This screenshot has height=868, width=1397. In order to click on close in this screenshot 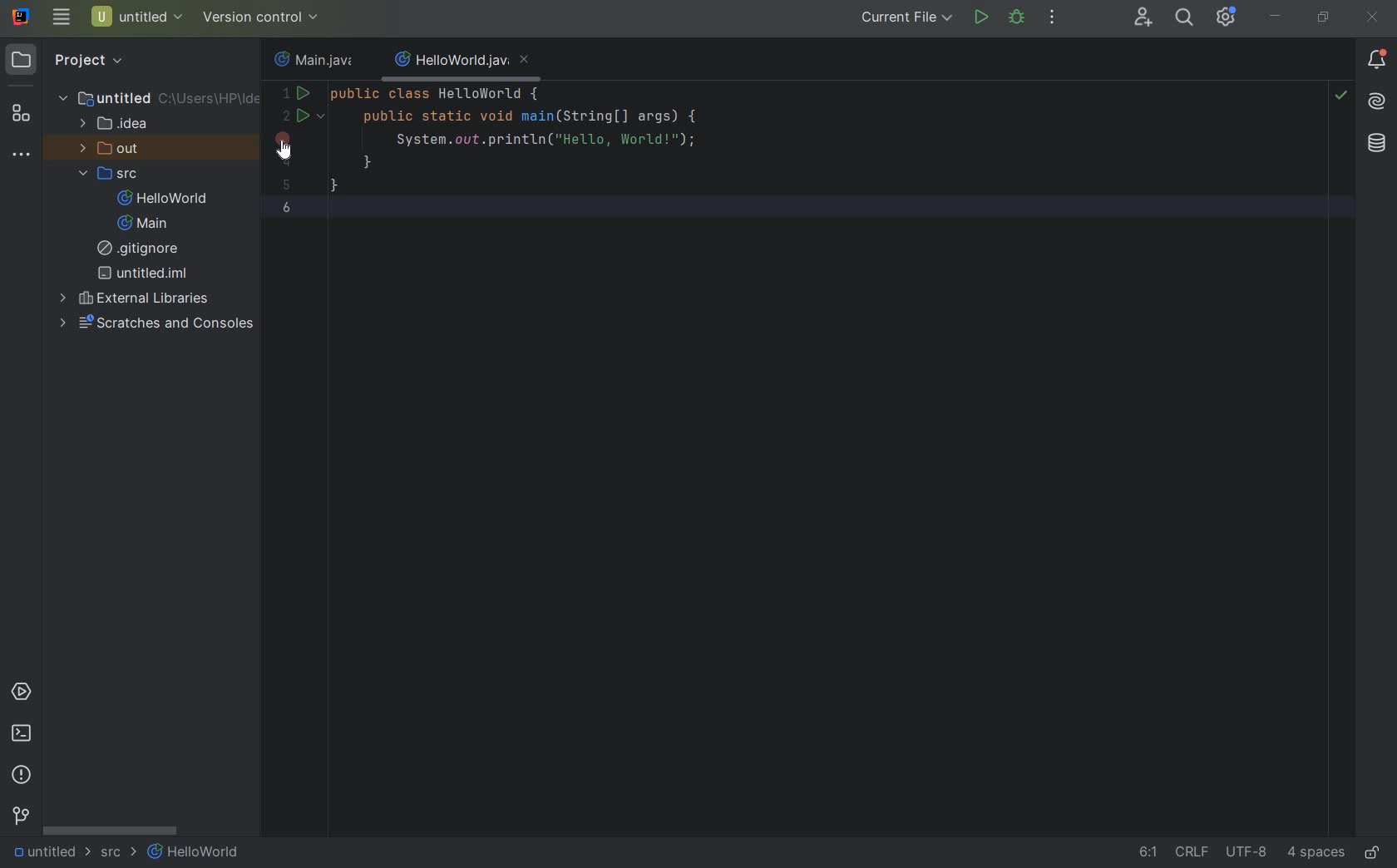, I will do `click(1374, 21)`.